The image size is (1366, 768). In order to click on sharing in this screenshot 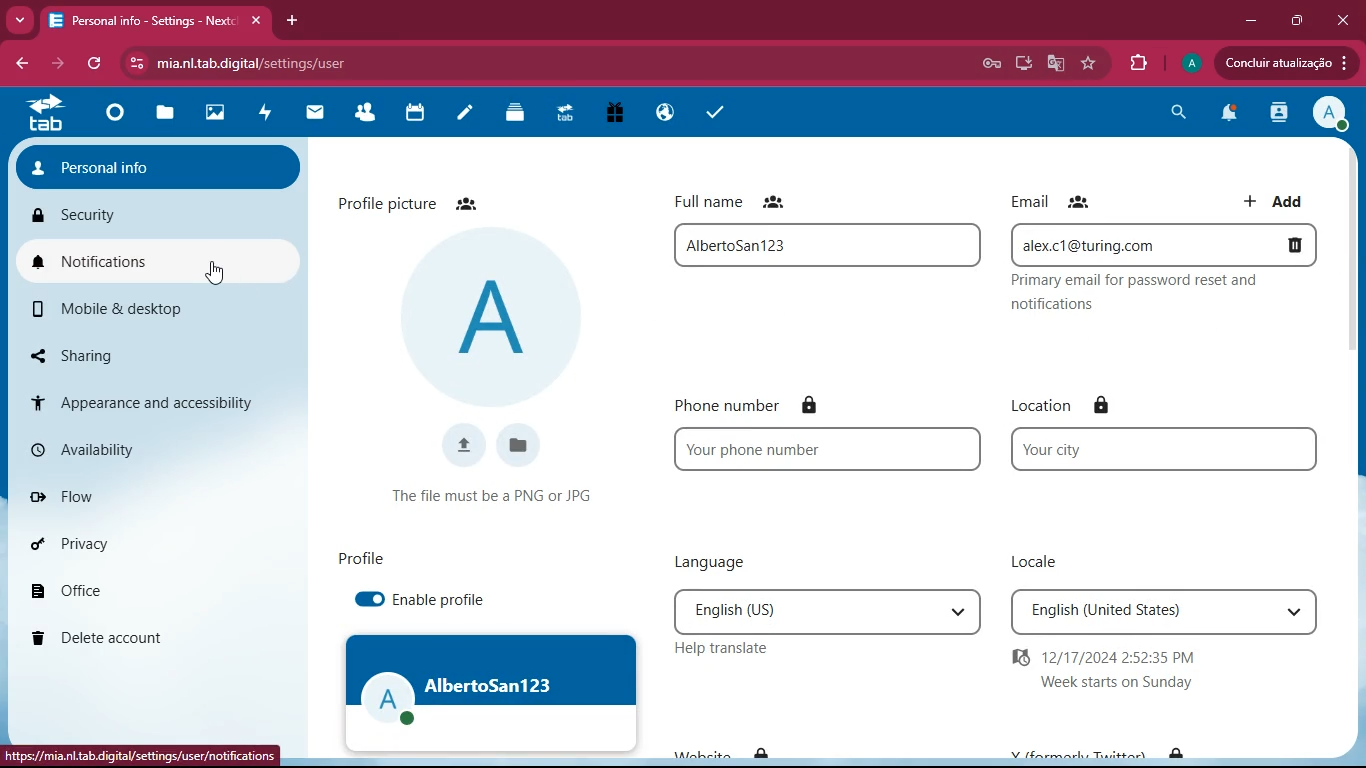, I will do `click(129, 354)`.